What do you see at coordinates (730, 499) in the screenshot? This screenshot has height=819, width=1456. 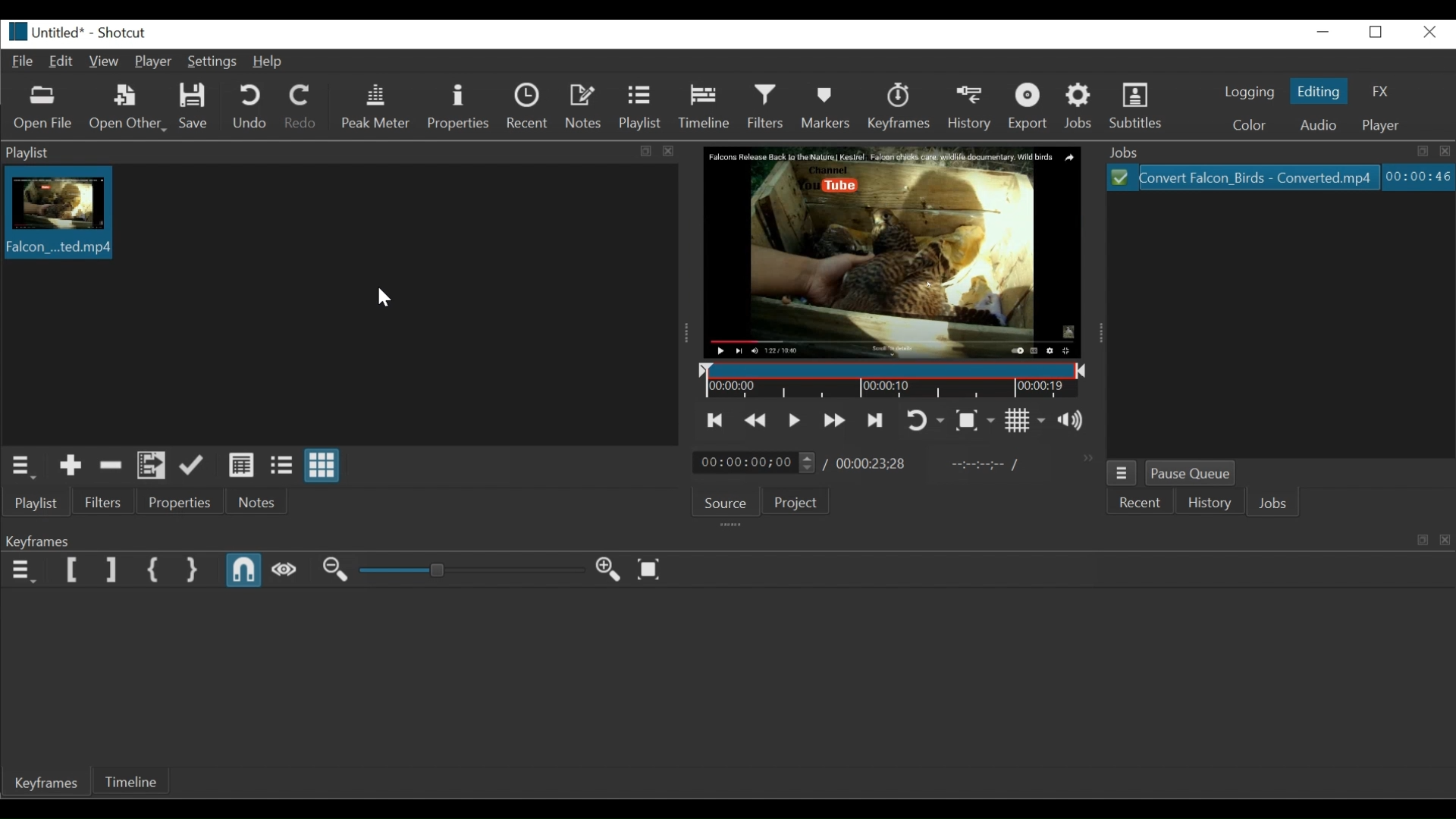 I see `Source` at bounding box center [730, 499].